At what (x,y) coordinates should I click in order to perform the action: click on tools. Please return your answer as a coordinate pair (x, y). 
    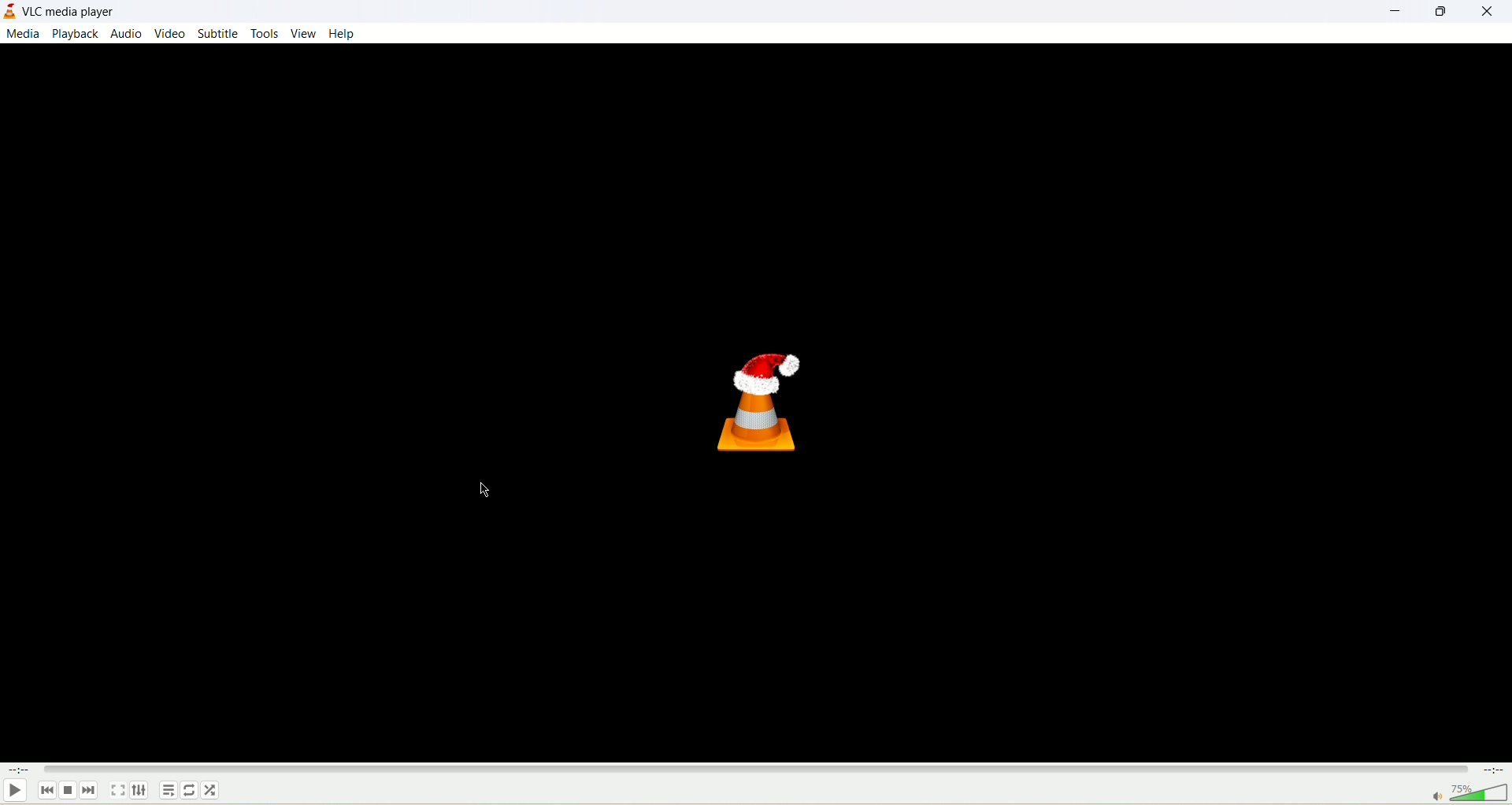
    Looking at the image, I should click on (265, 33).